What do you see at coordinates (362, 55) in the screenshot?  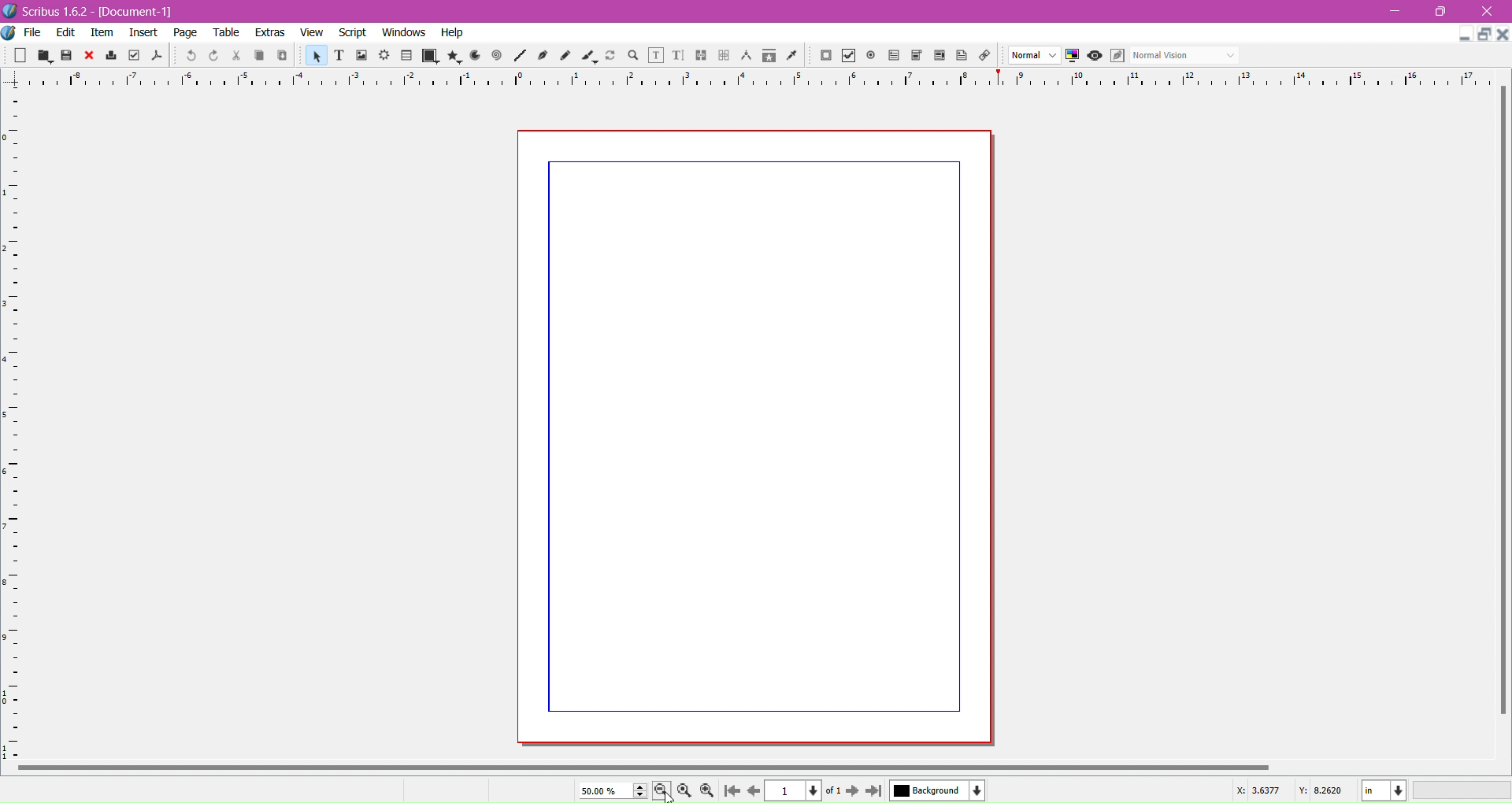 I see `Image Frame` at bounding box center [362, 55].